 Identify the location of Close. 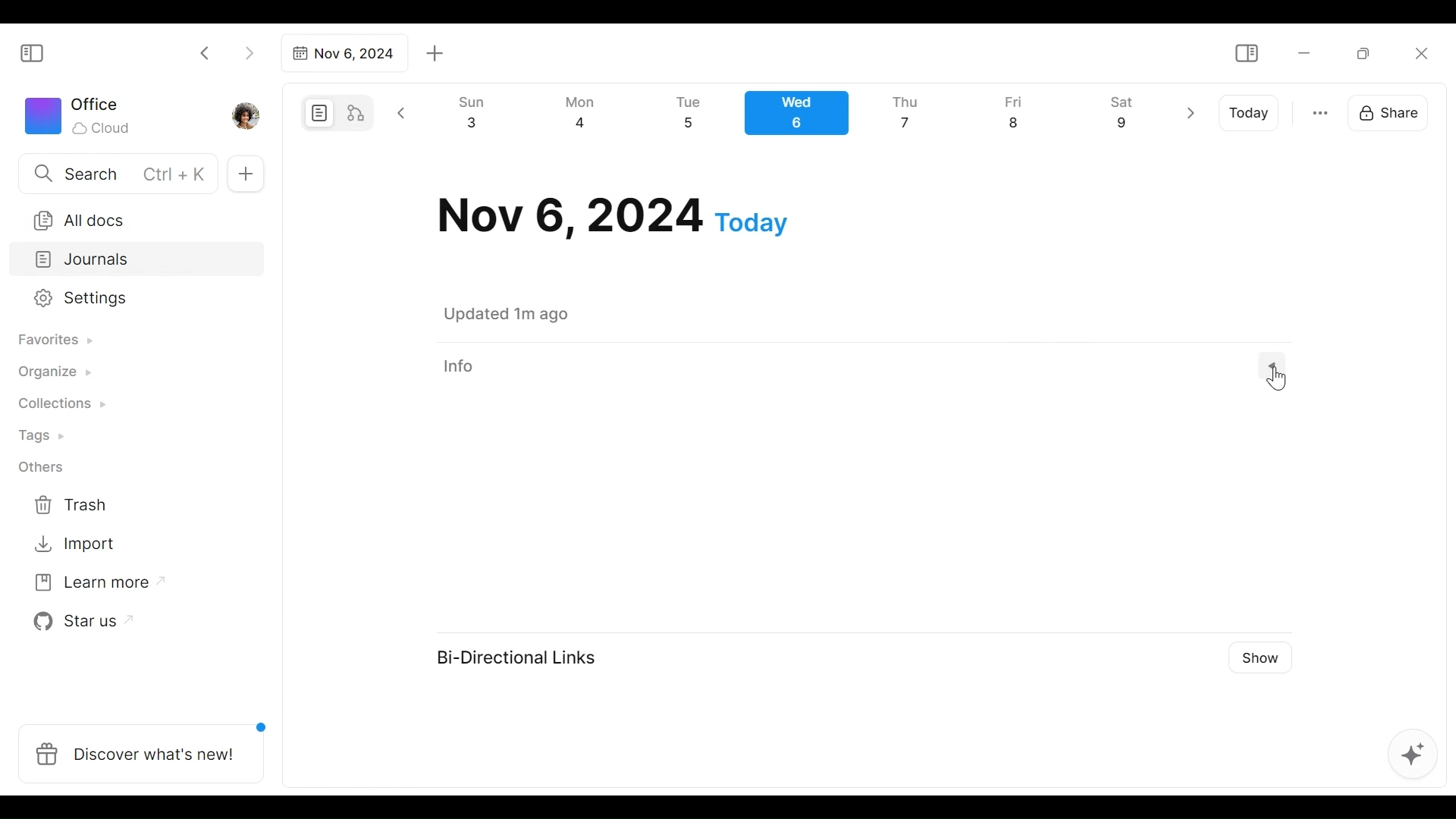
(1420, 53).